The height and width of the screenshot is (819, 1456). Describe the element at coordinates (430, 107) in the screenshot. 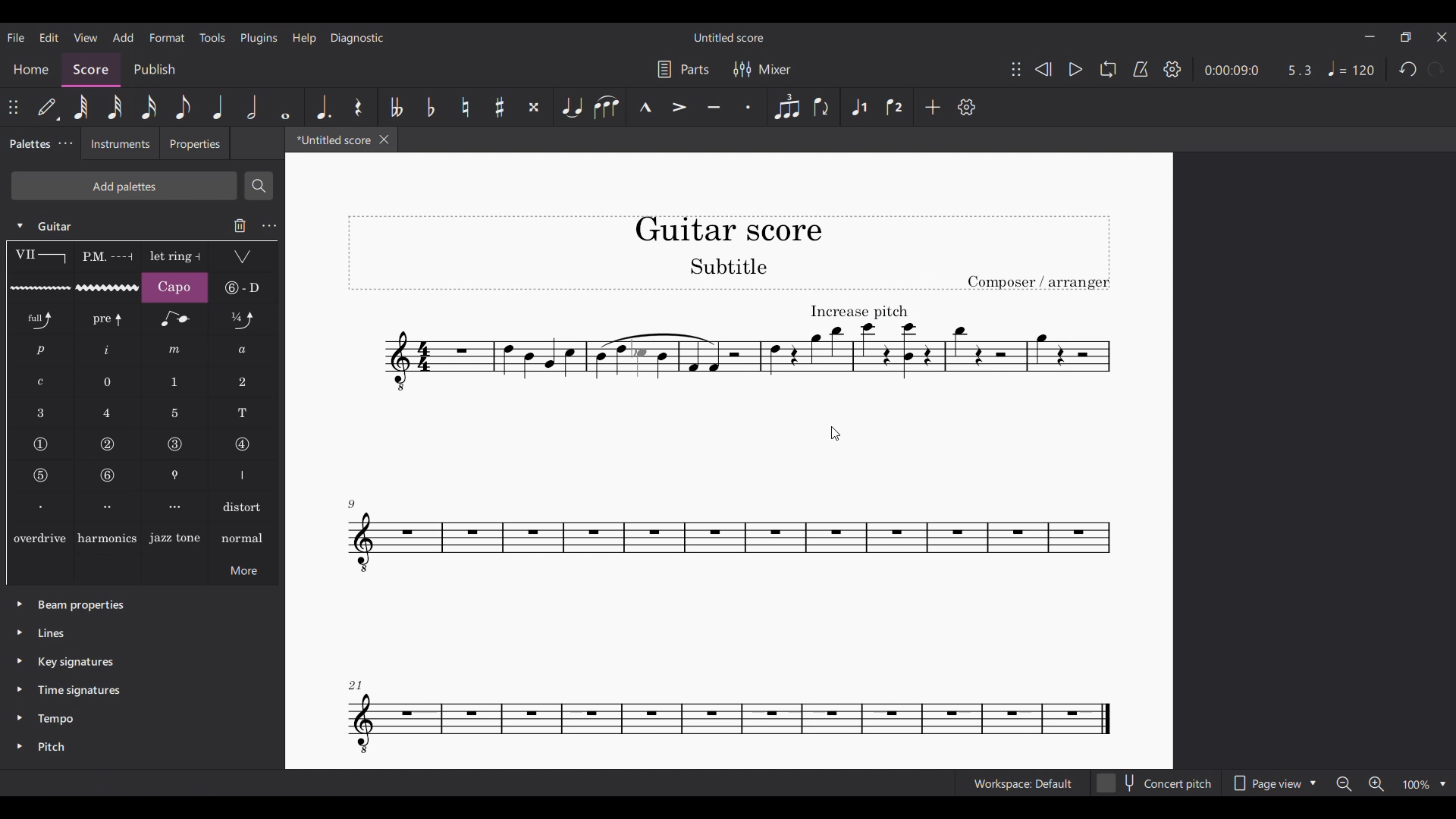

I see `Toggle flat` at that location.